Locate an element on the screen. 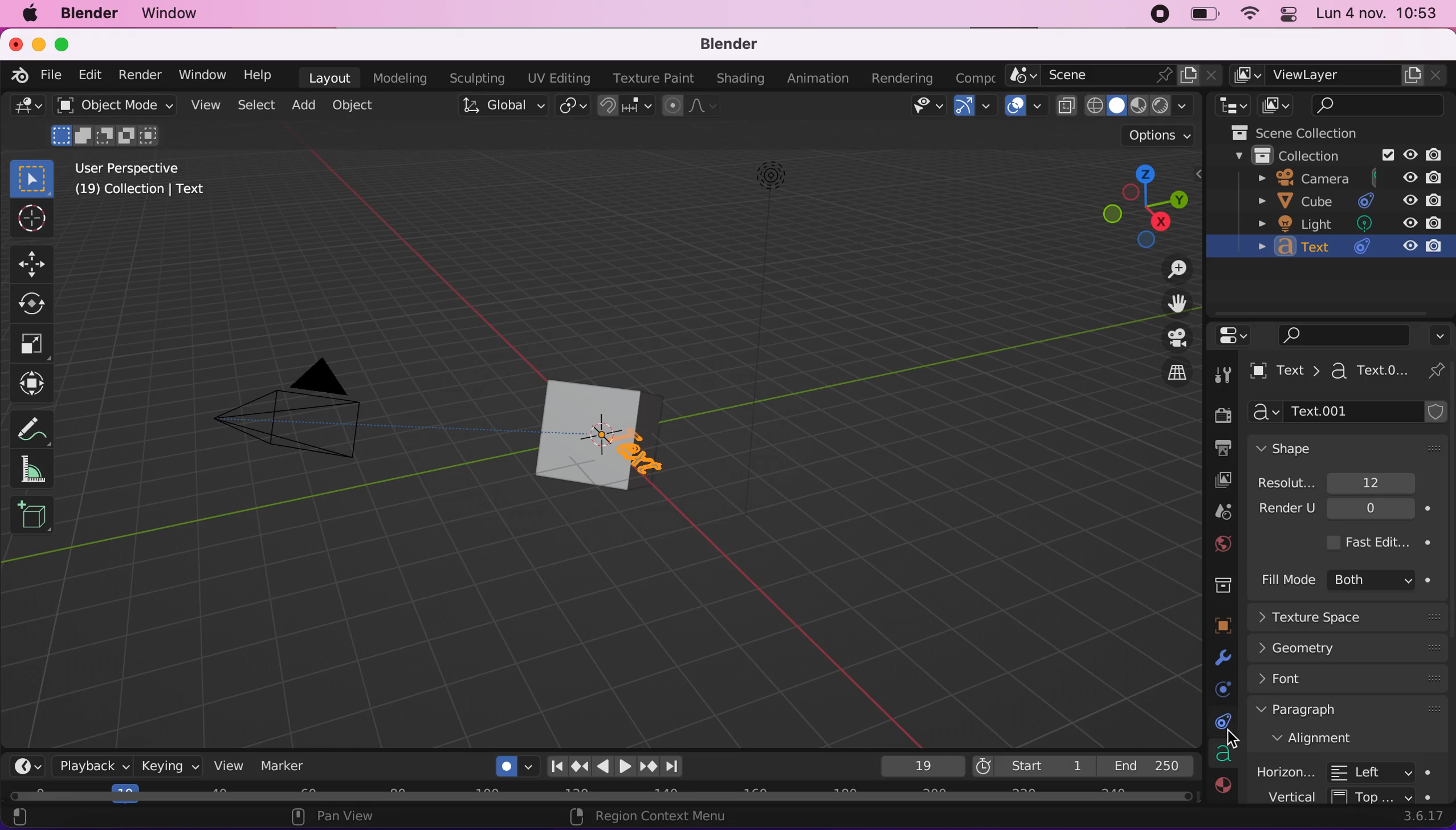 The width and height of the screenshot is (1456, 830). font is located at coordinates (1349, 683).